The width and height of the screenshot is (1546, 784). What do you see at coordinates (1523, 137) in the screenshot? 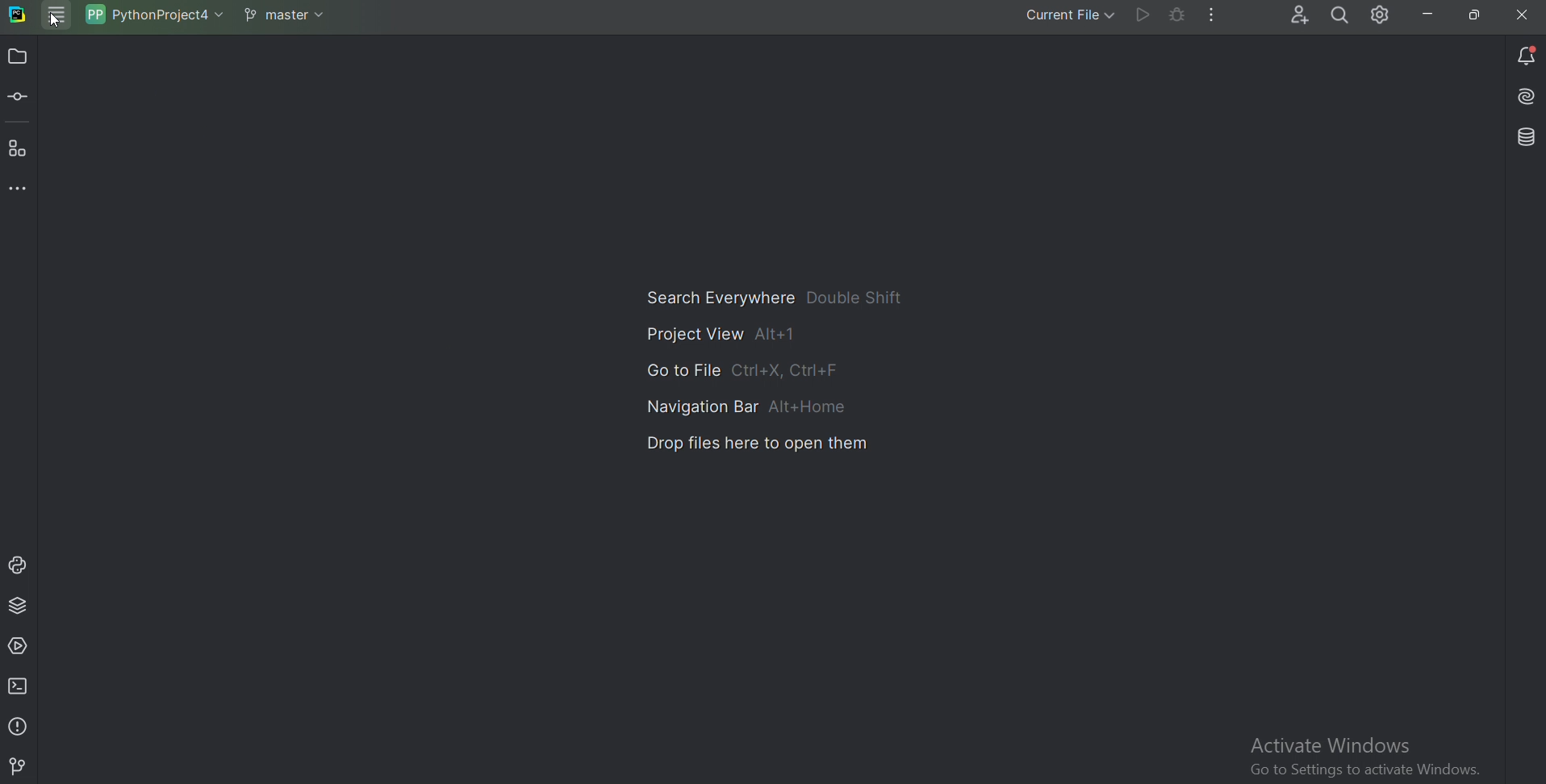
I see `Database` at bounding box center [1523, 137].